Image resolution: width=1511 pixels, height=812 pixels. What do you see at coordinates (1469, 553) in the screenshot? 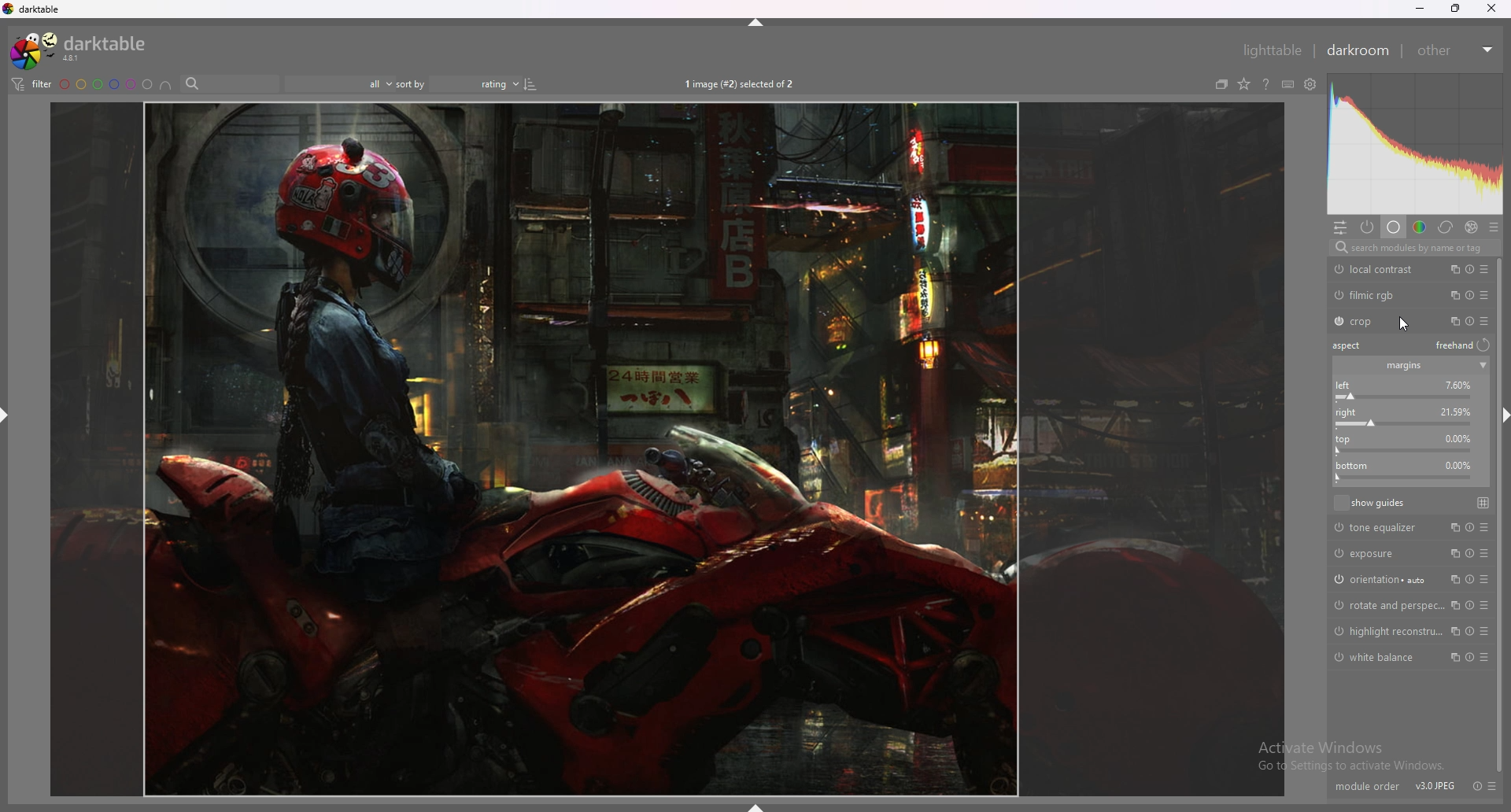
I see `reset` at bounding box center [1469, 553].